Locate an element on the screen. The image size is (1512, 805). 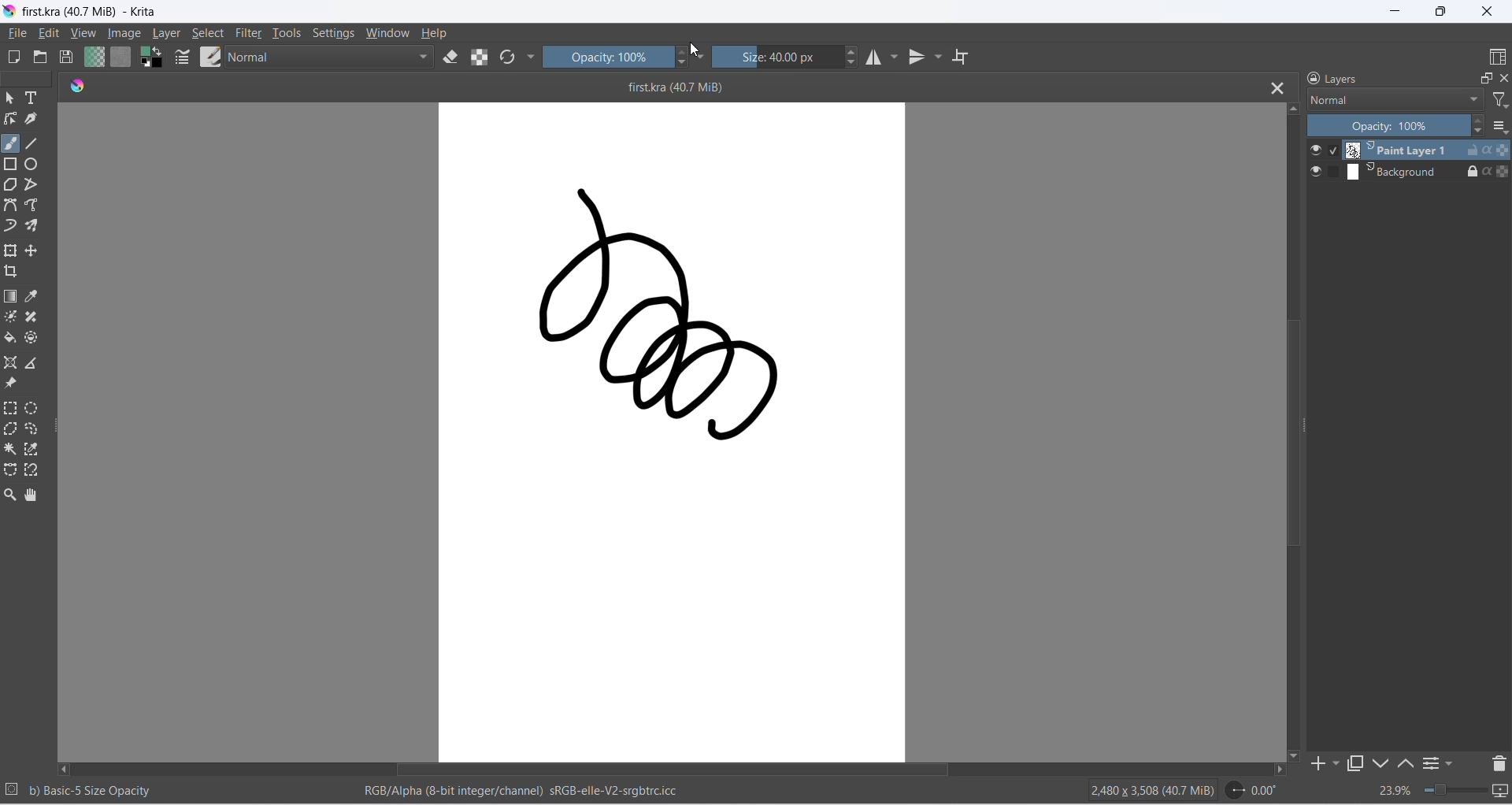
Bezier curve tool is located at coordinates (10, 205).